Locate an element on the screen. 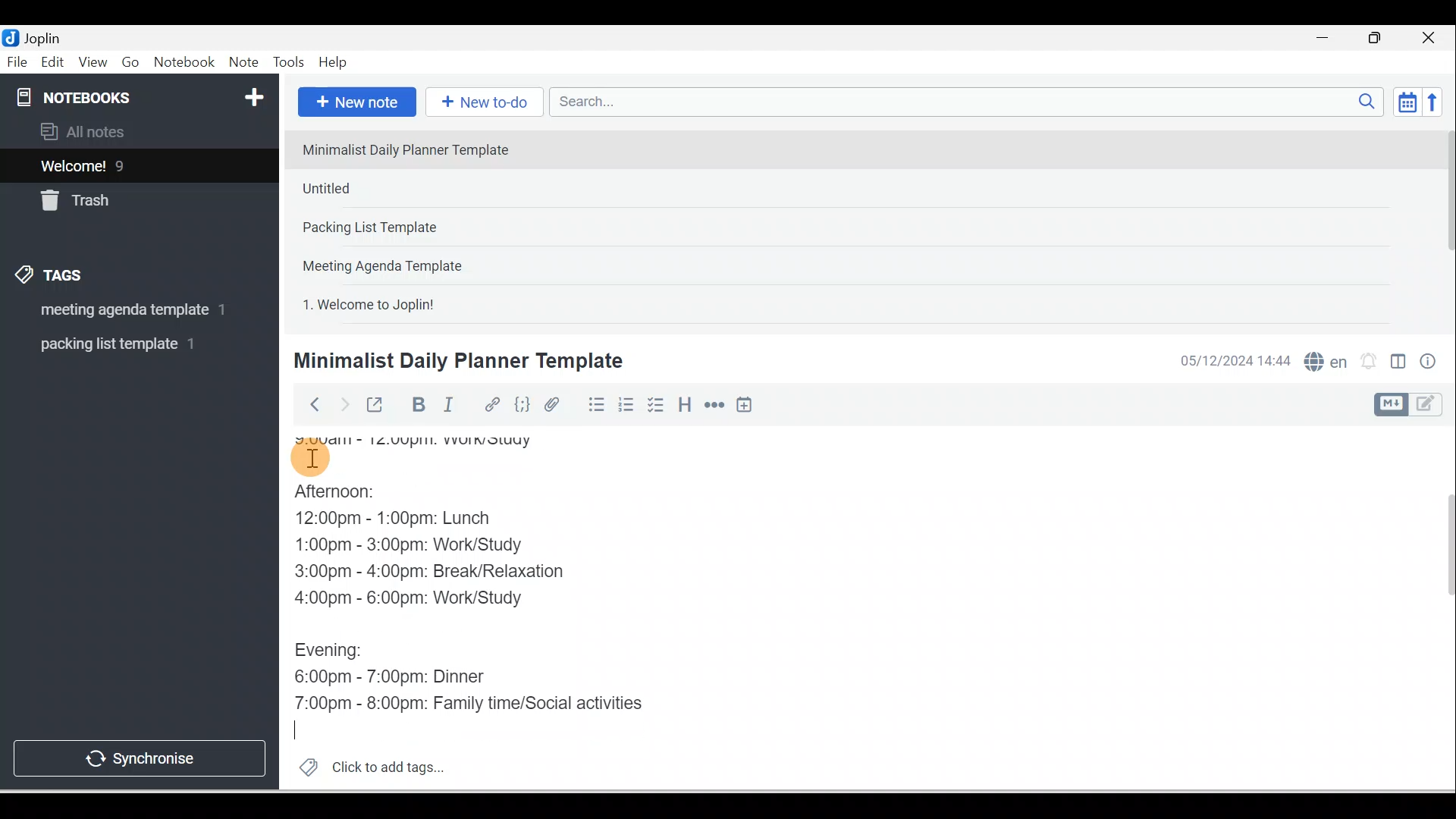 This screenshot has height=819, width=1456. Toggle editor layout is located at coordinates (1414, 405).